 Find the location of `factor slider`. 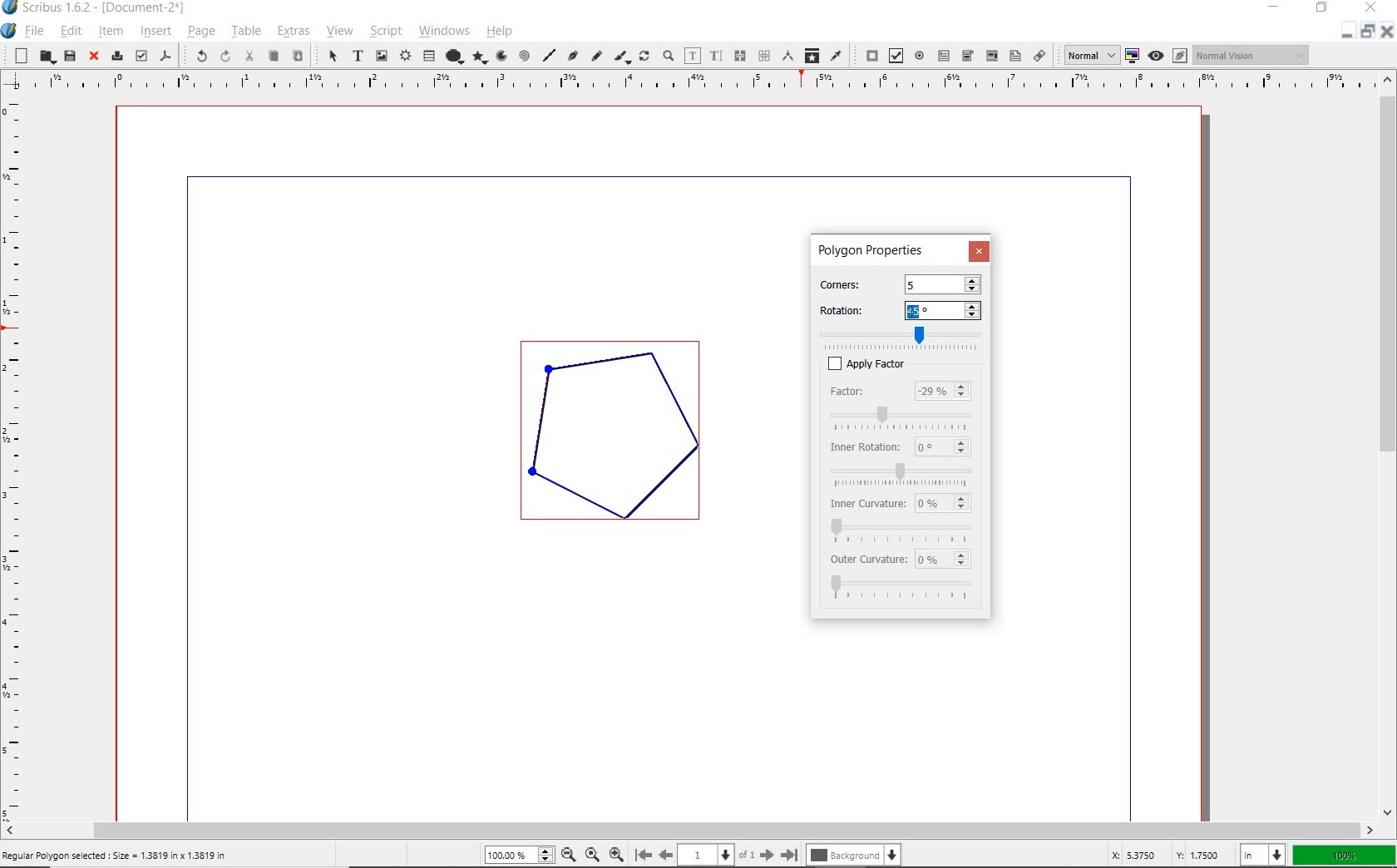

factor slider is located at coordinates (906, 416).